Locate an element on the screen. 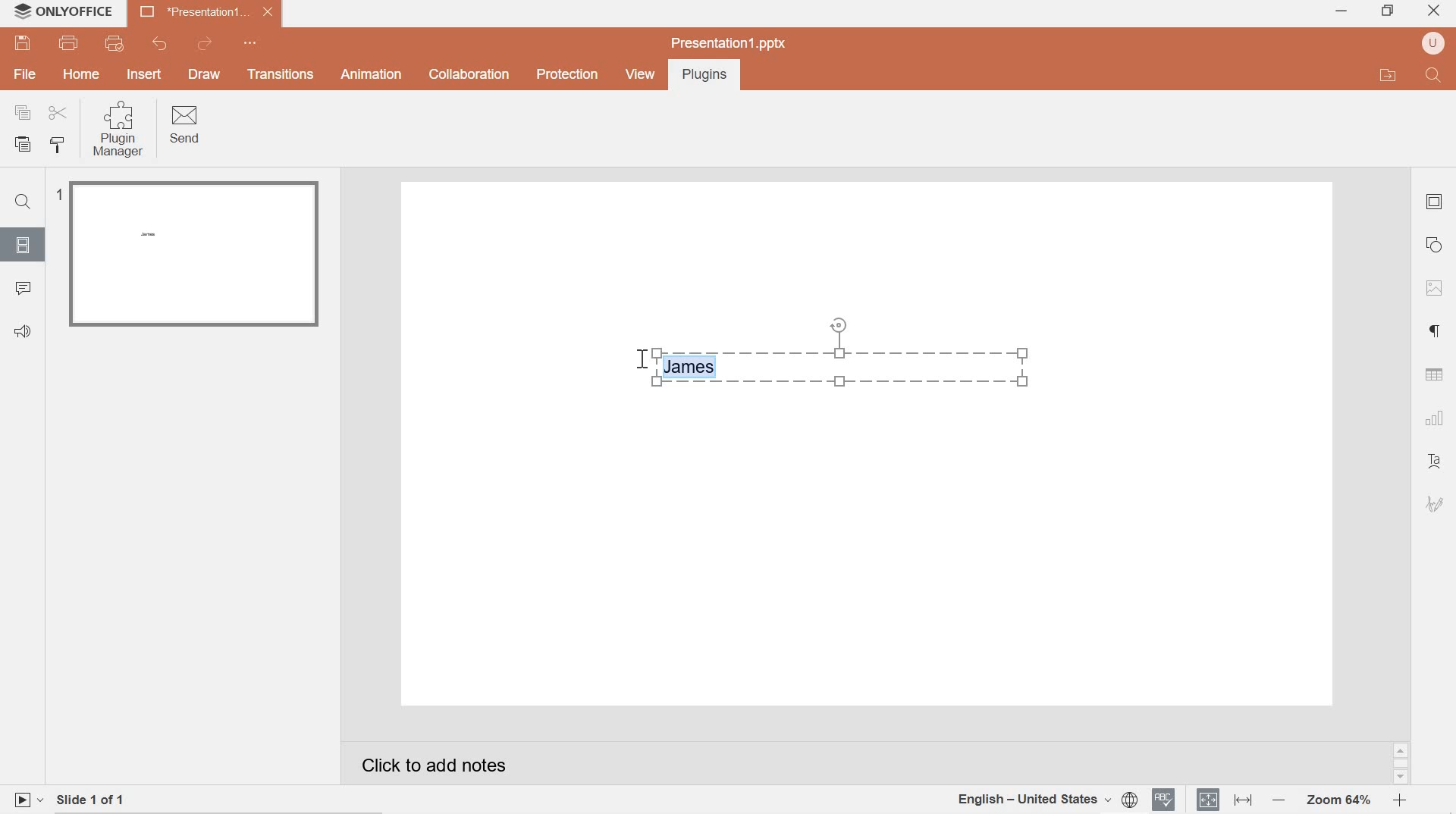 This screenshot has width=1456, height=814. slides is located at coordinates (24, 245).